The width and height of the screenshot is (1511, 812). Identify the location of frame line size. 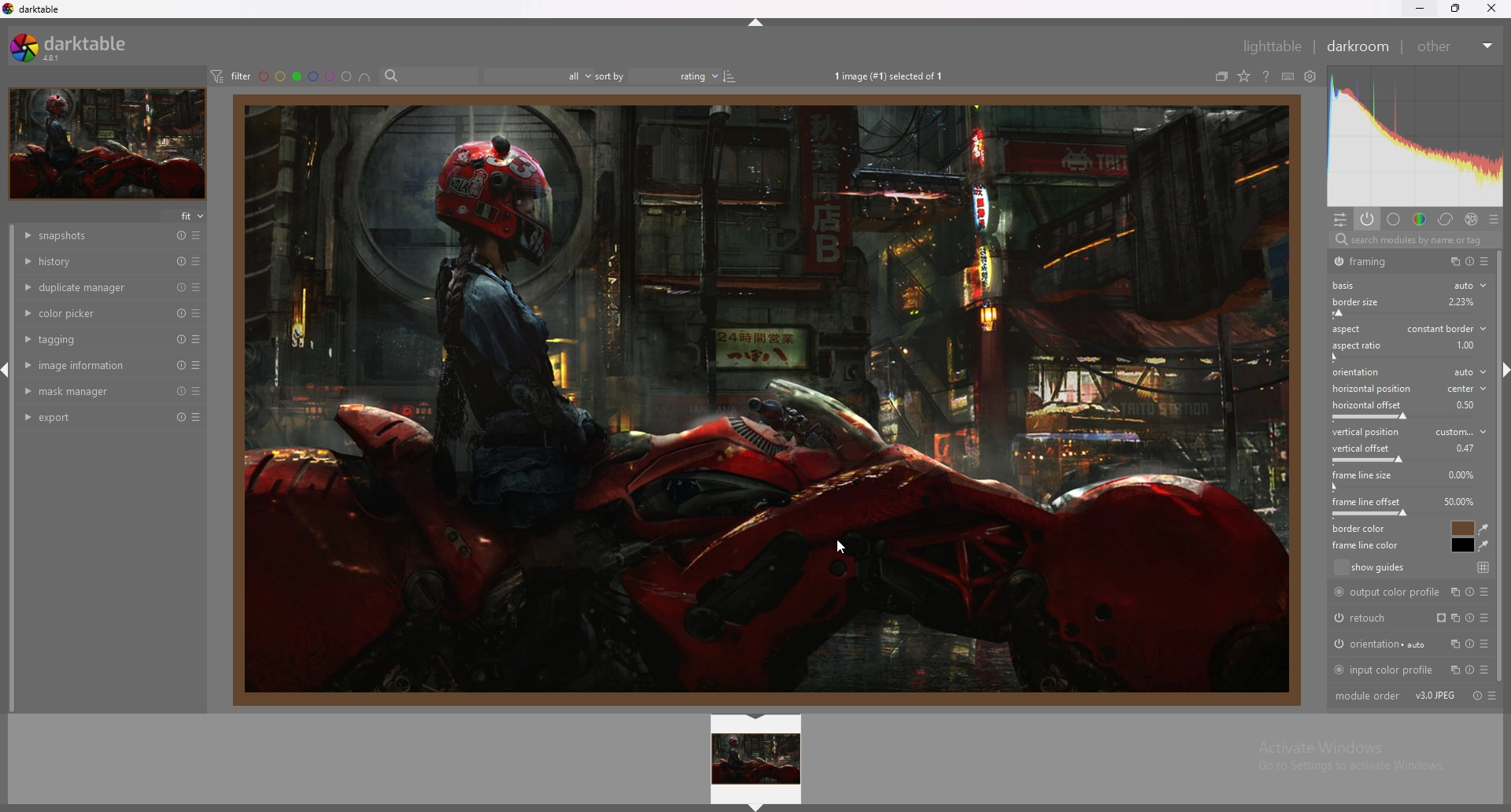
(1362, 475).